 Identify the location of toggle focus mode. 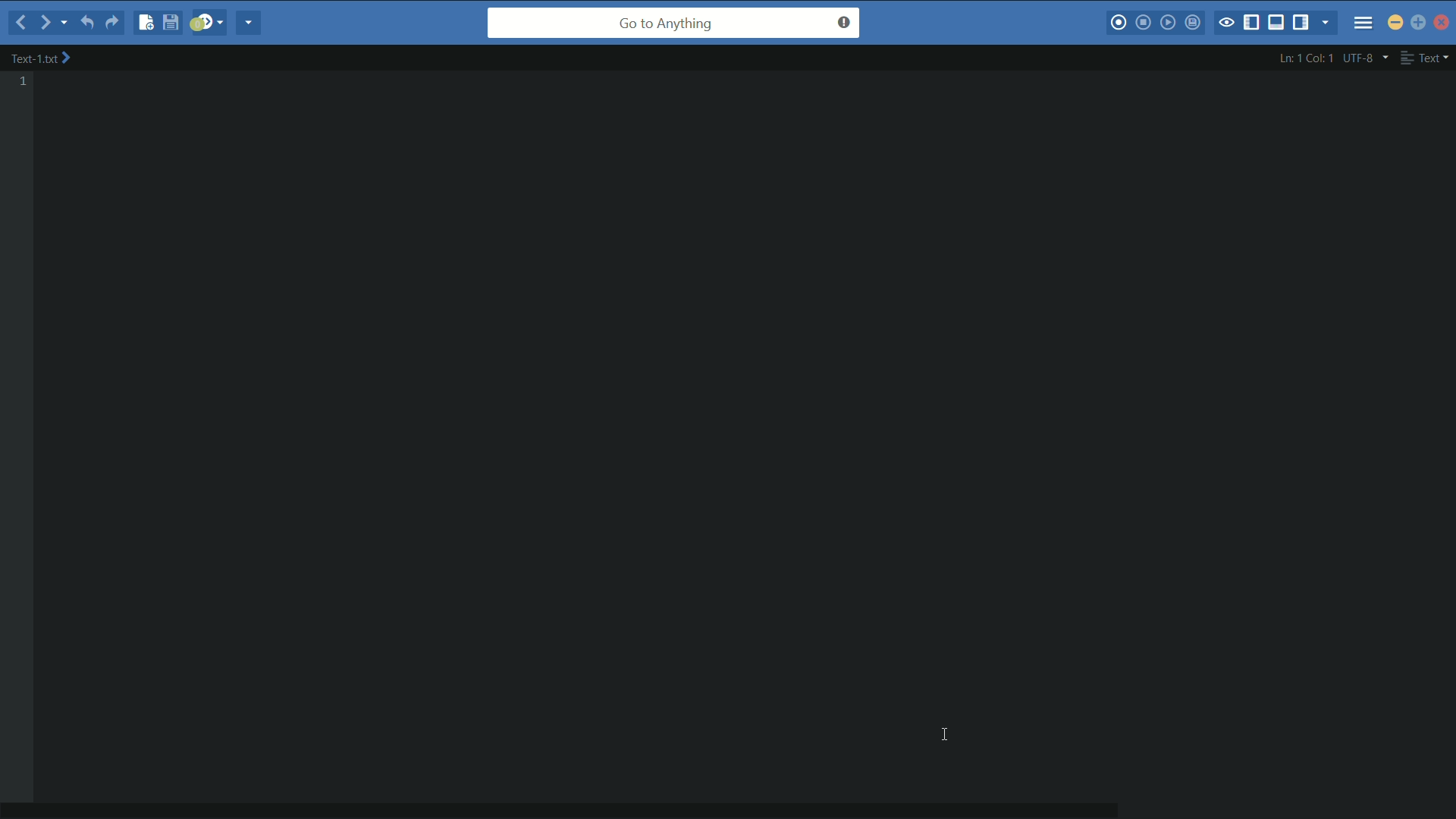
(1227, 22).